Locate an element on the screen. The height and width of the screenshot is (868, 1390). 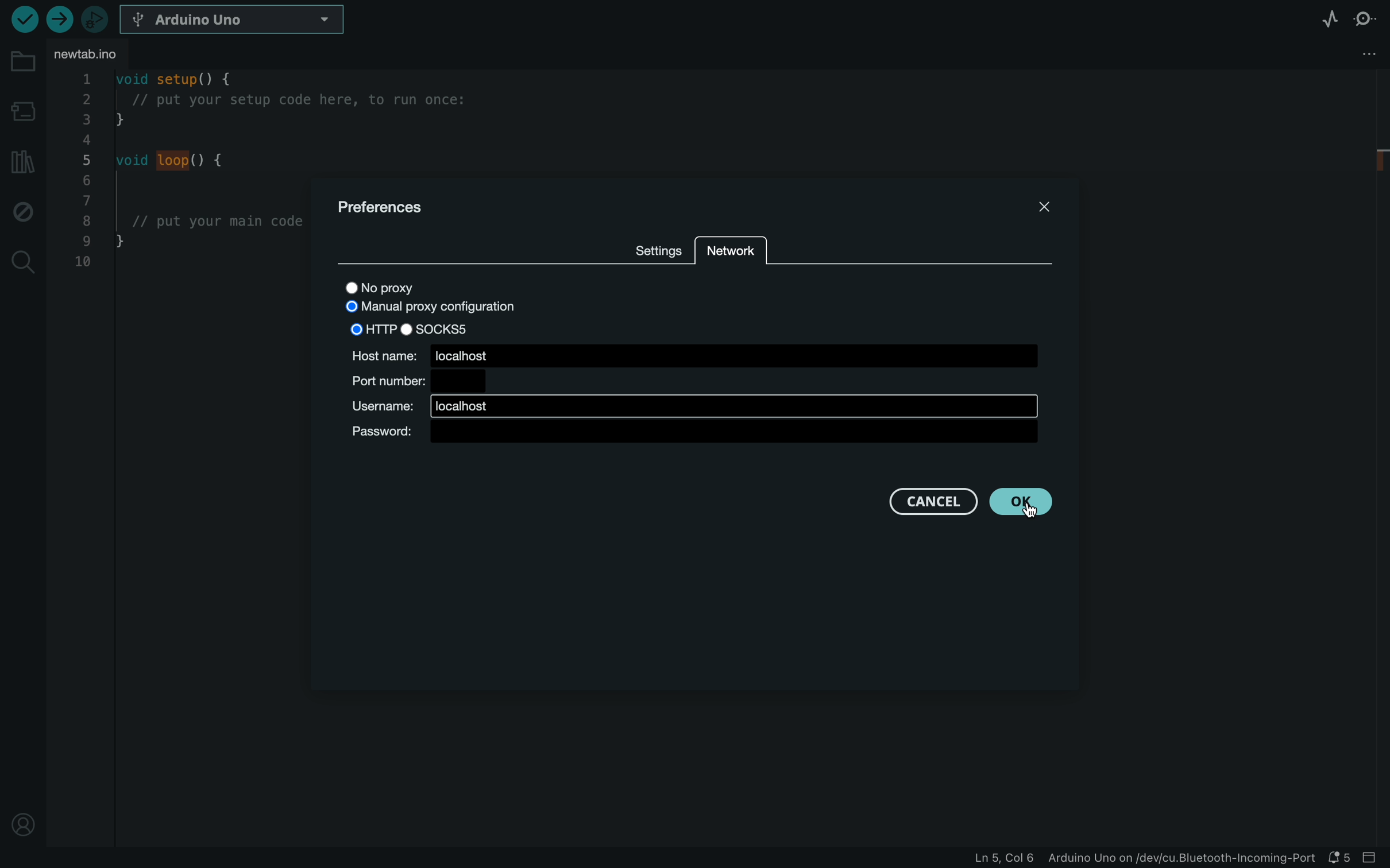
debugger is located at coordinates (94, 19).